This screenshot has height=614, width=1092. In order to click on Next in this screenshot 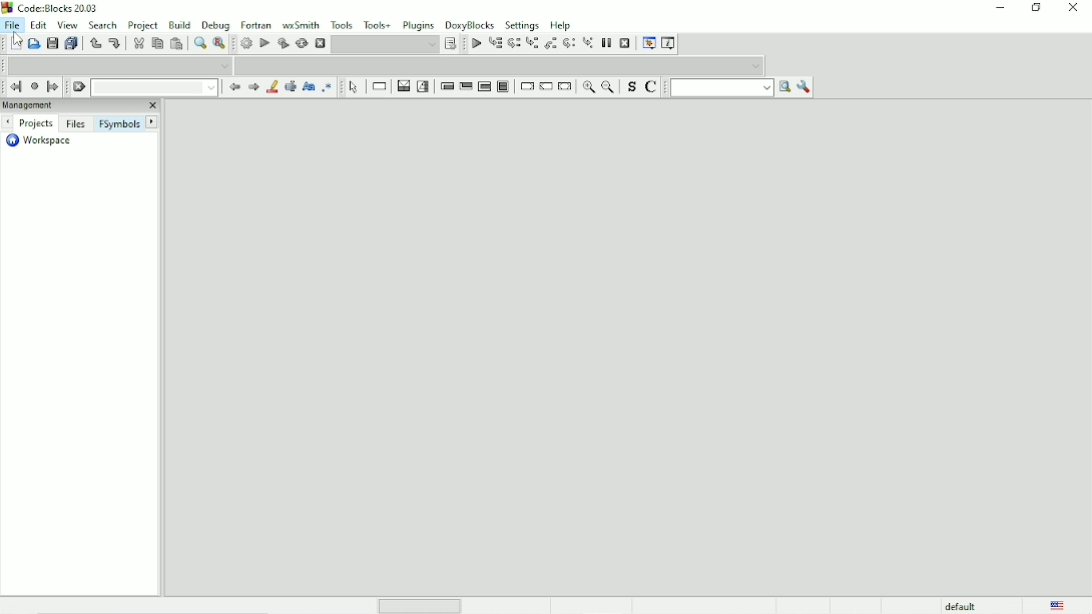, I will do `click(254, 87)`.